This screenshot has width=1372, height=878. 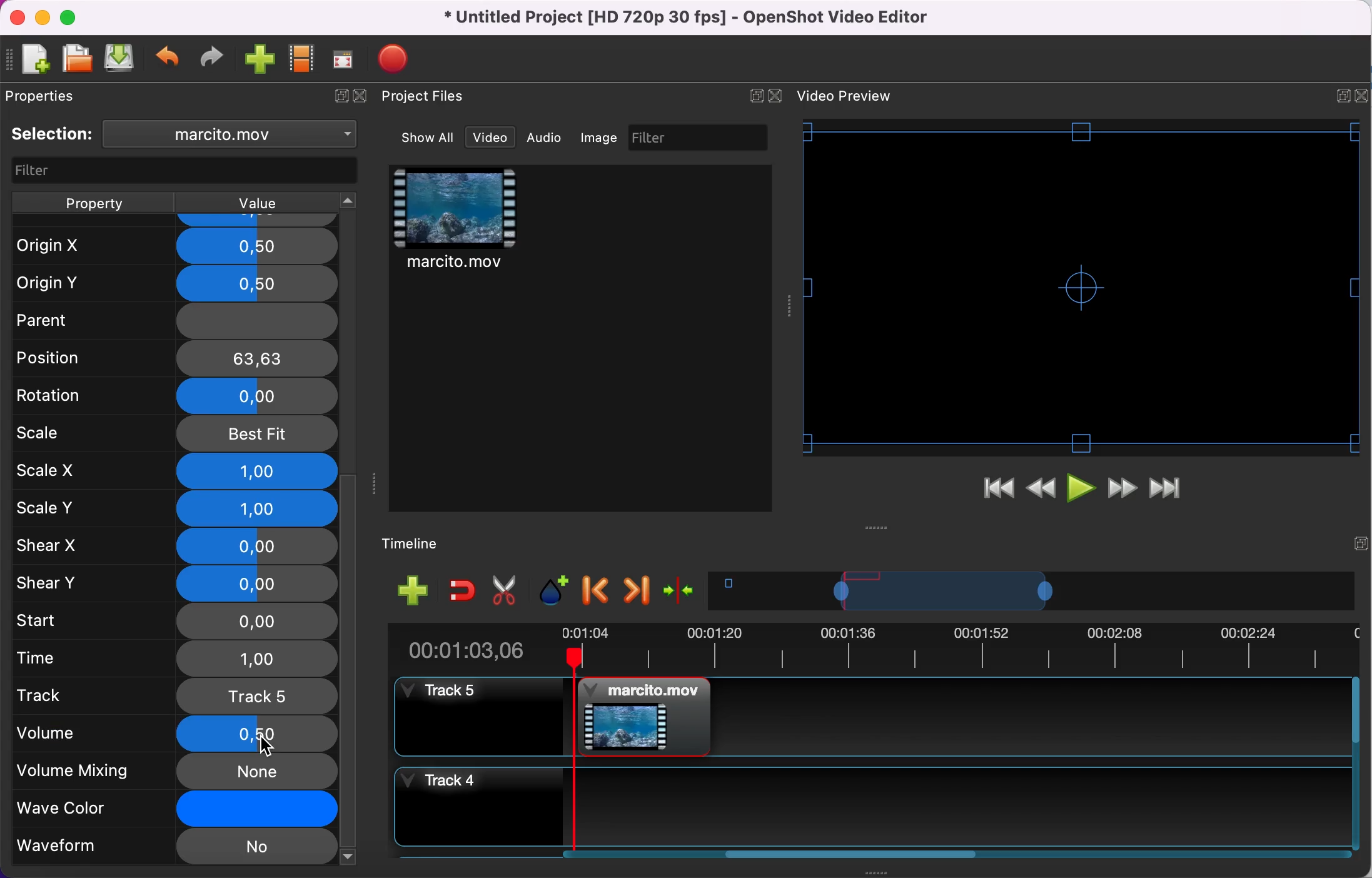 What do you see at coordinates (212, 58) in the screenshot?
I see `redo` at bounding box center [212, 58].